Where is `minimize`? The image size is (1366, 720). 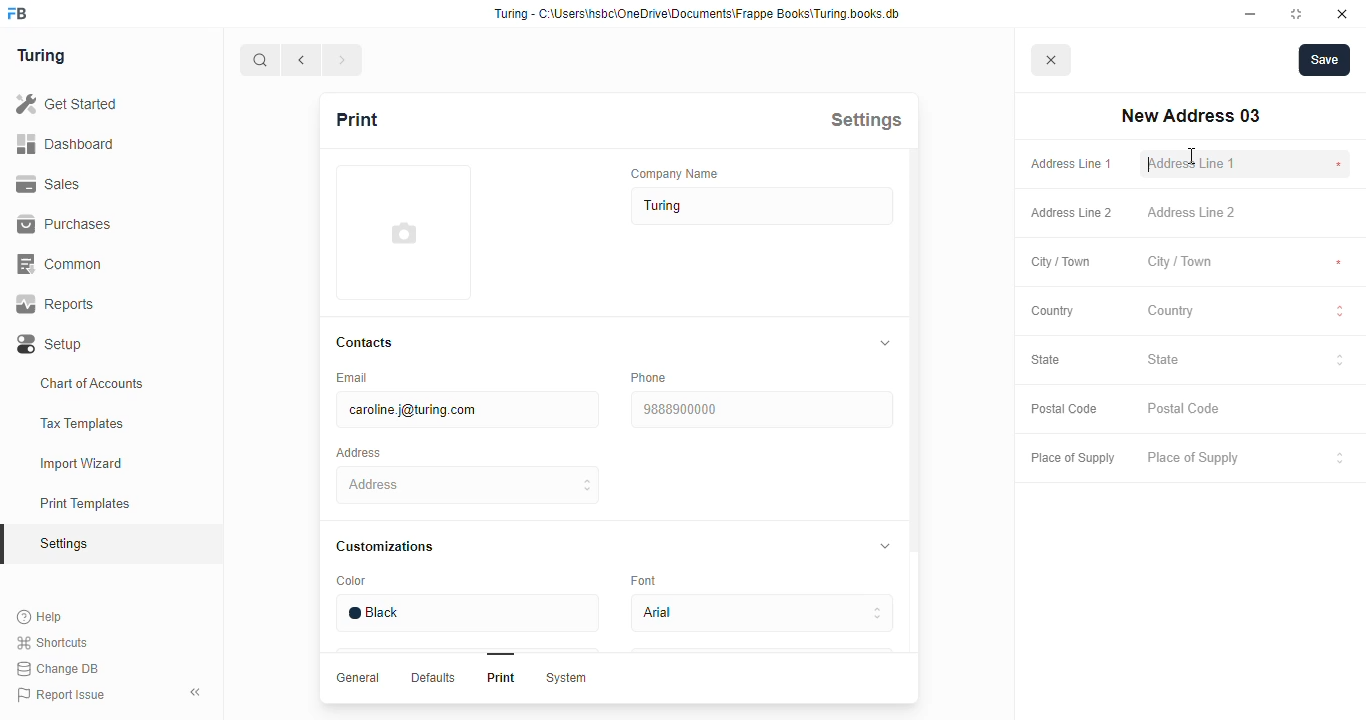
minimize is located at coordinates (1251, 14).